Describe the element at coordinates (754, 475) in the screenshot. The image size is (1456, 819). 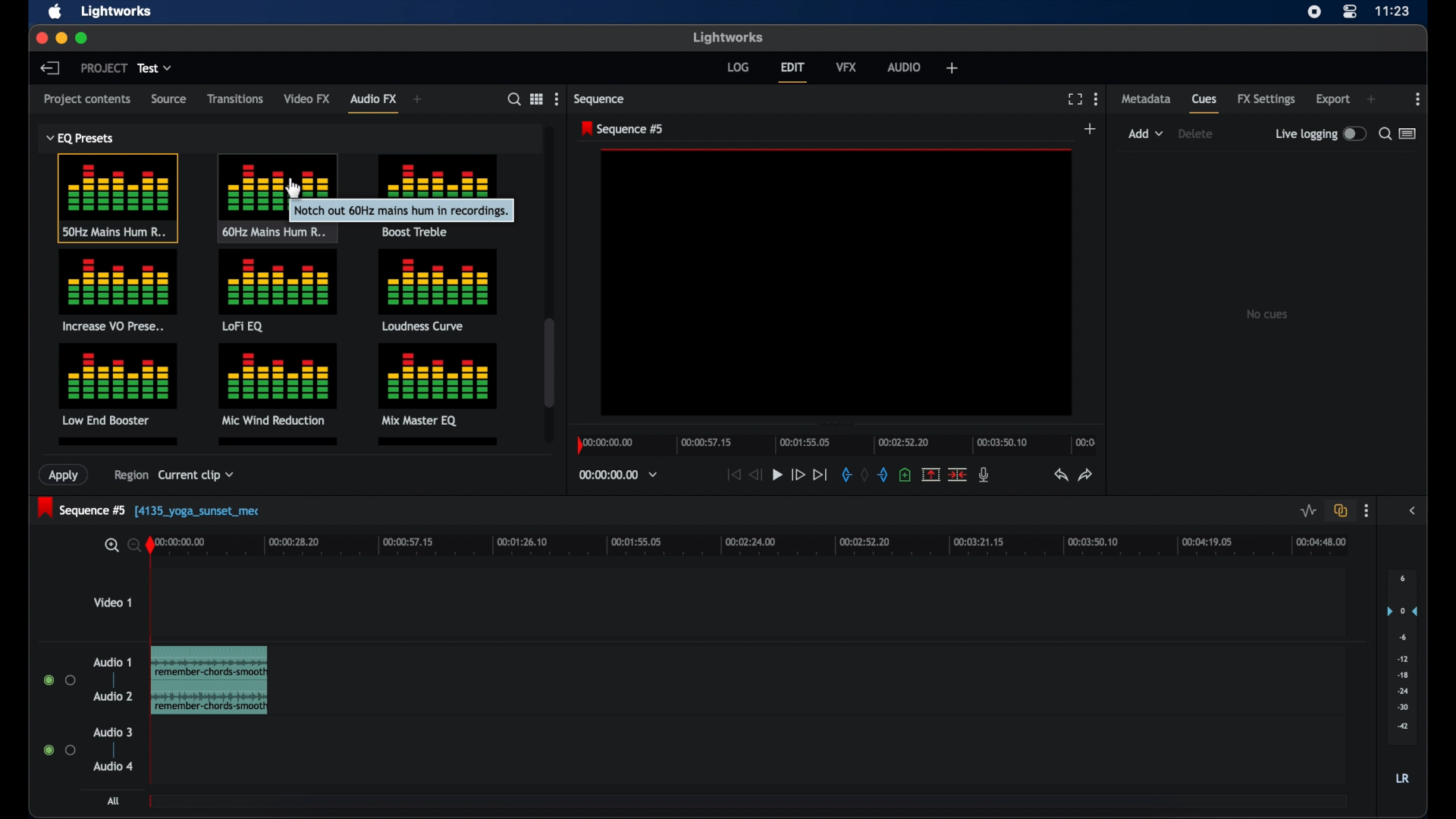
I see `rewind` at that location.